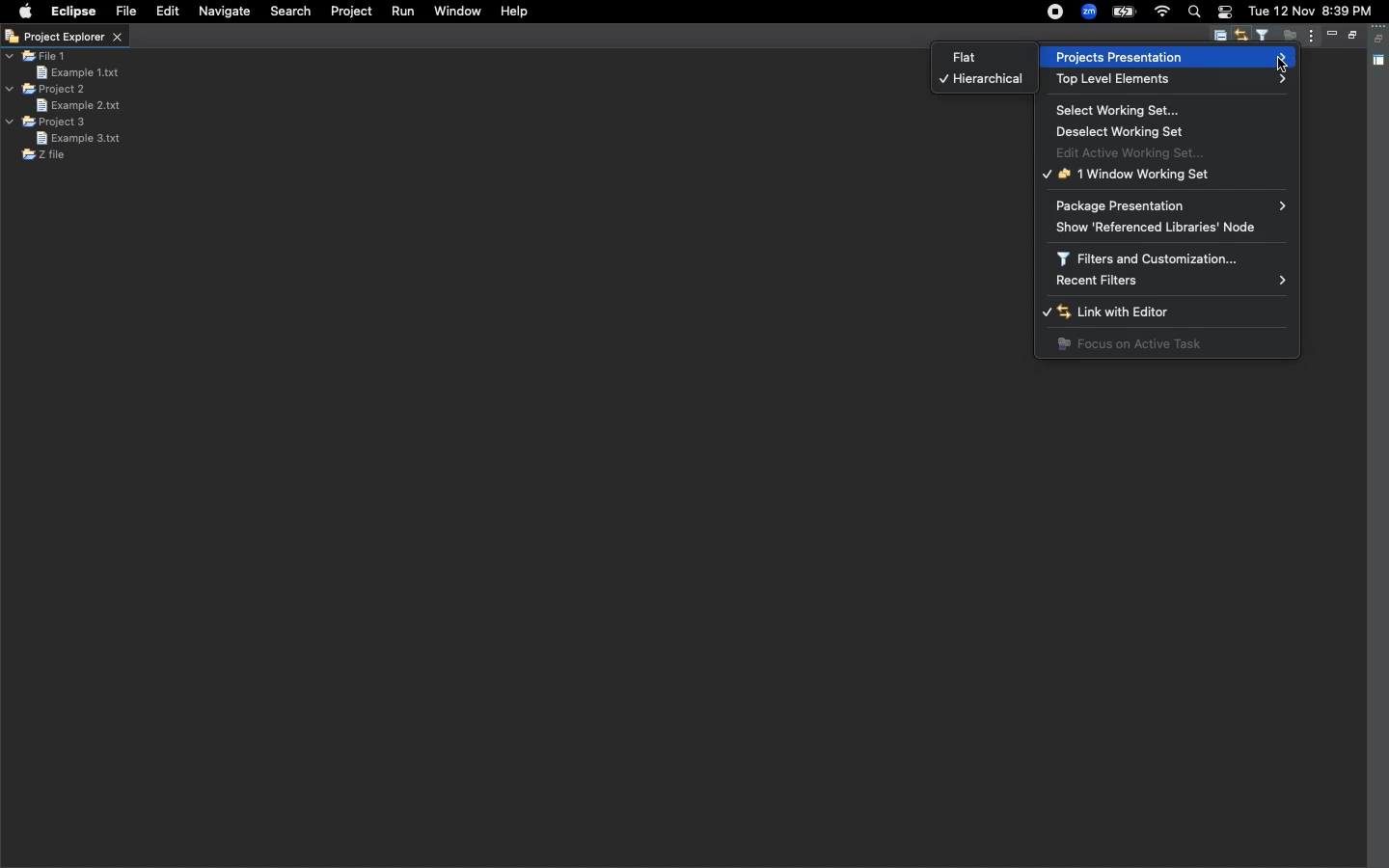 The width and height of the screenshot is (1389, 868). I want to click on Edit active working set, so click(1139, 151).